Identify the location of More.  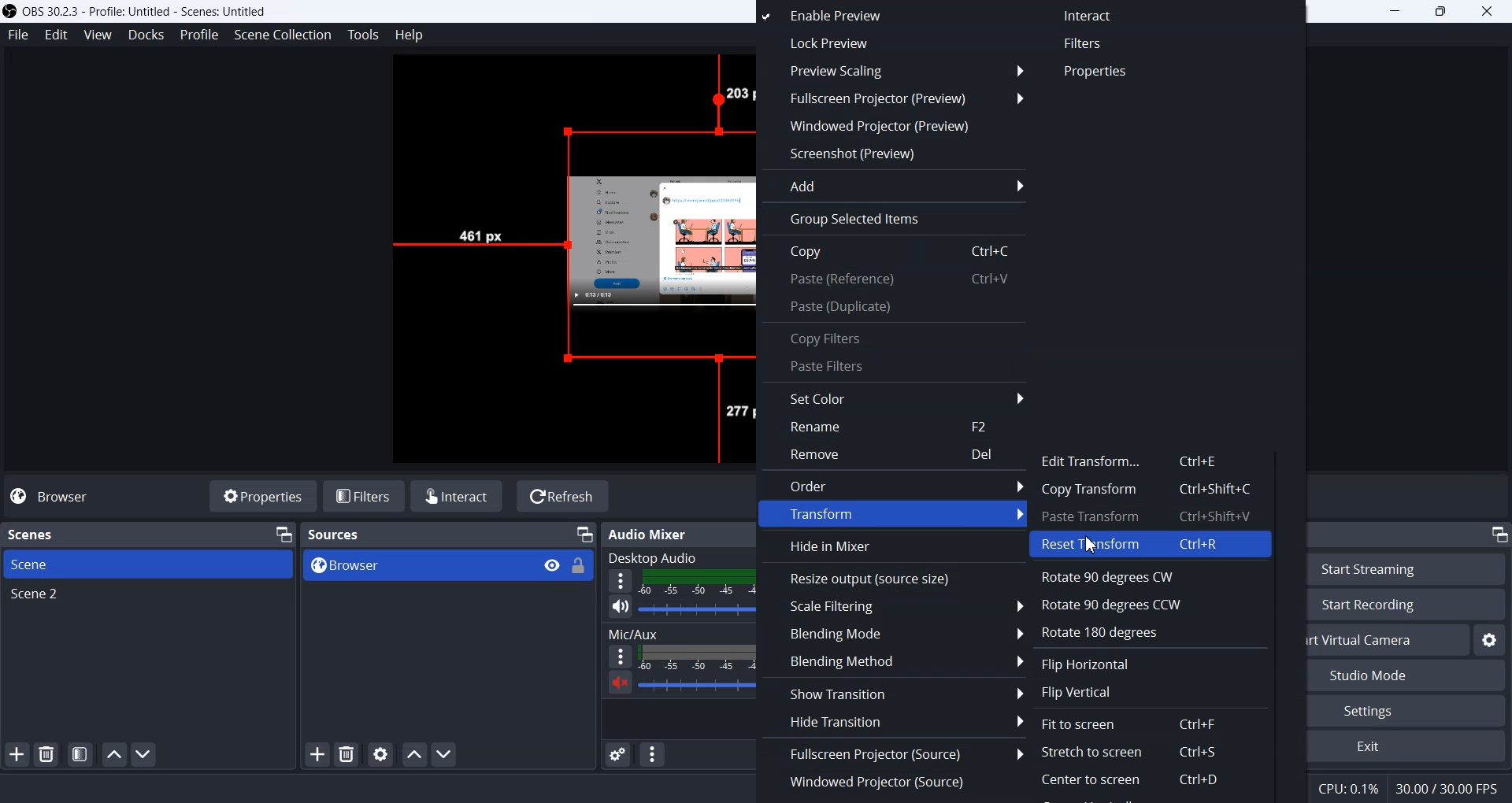
(621, 580).